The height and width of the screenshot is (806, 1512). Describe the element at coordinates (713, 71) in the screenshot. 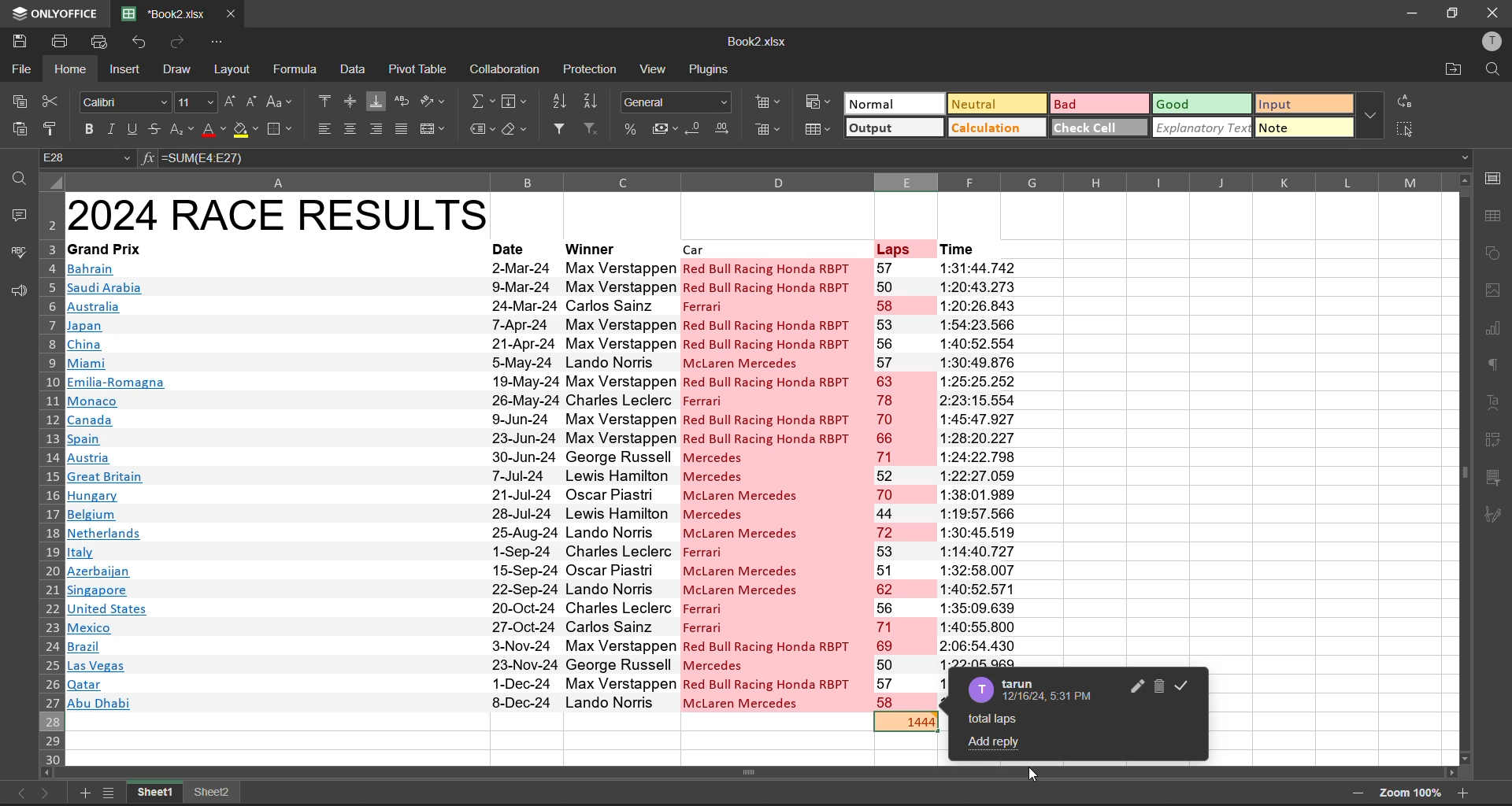

I see `plugins` at that location.